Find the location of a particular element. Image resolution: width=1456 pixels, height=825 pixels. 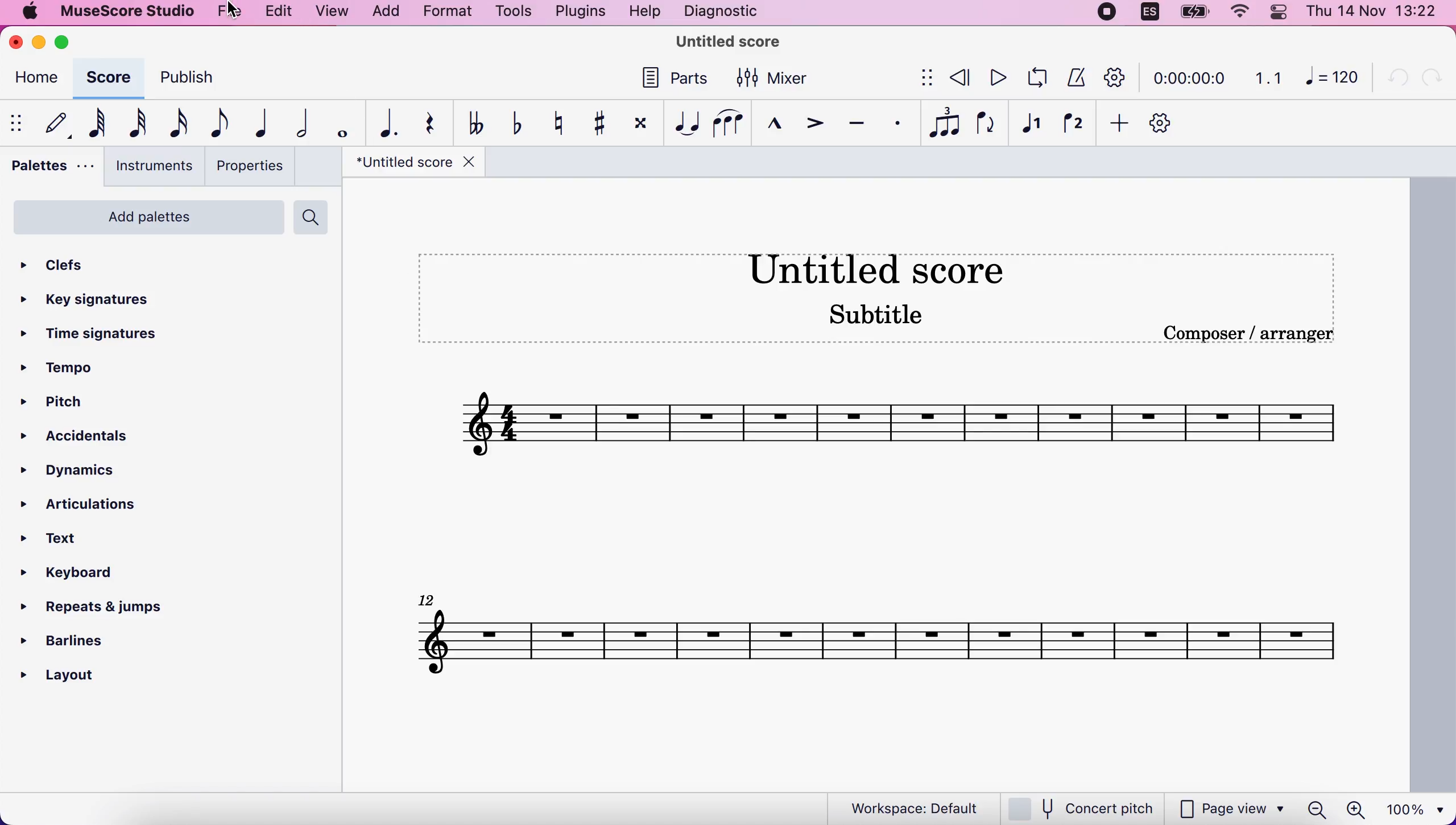

flip direction is located at coordinates (987, 122).